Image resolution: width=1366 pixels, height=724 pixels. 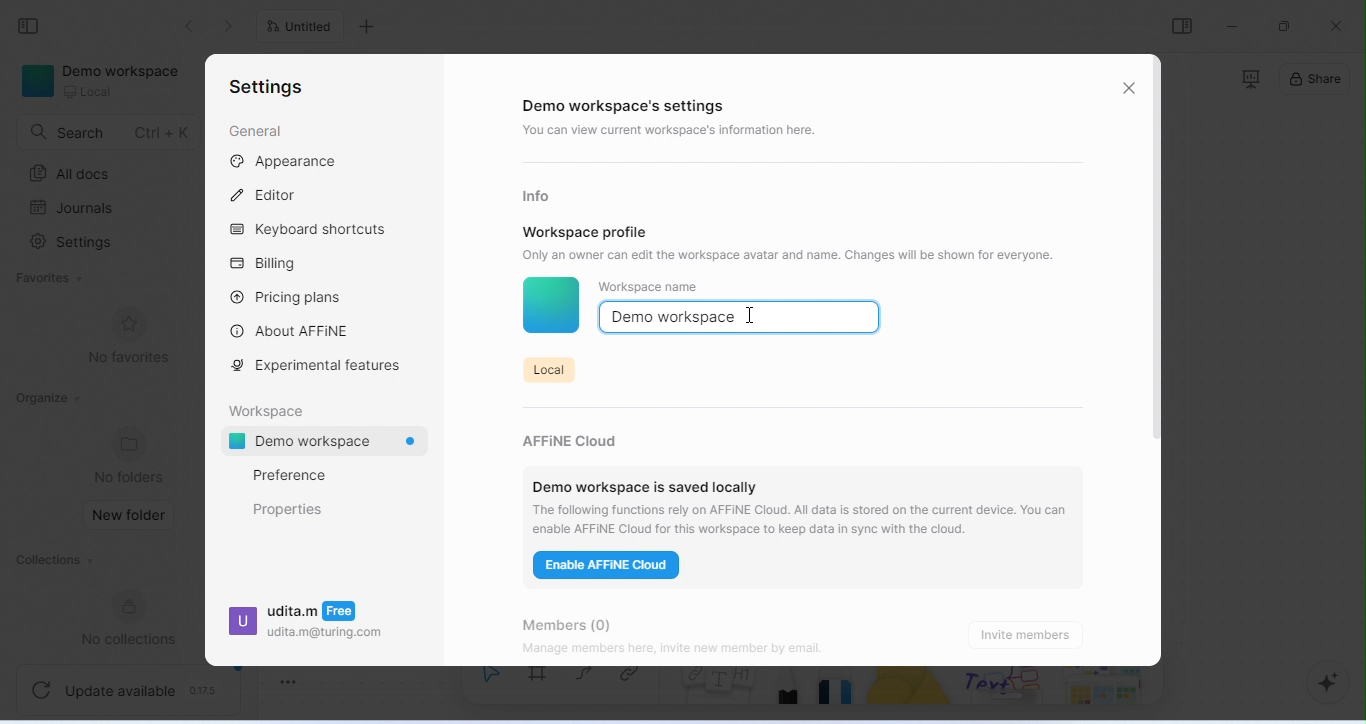 I want to click on organize, so click(x=47, y=398).